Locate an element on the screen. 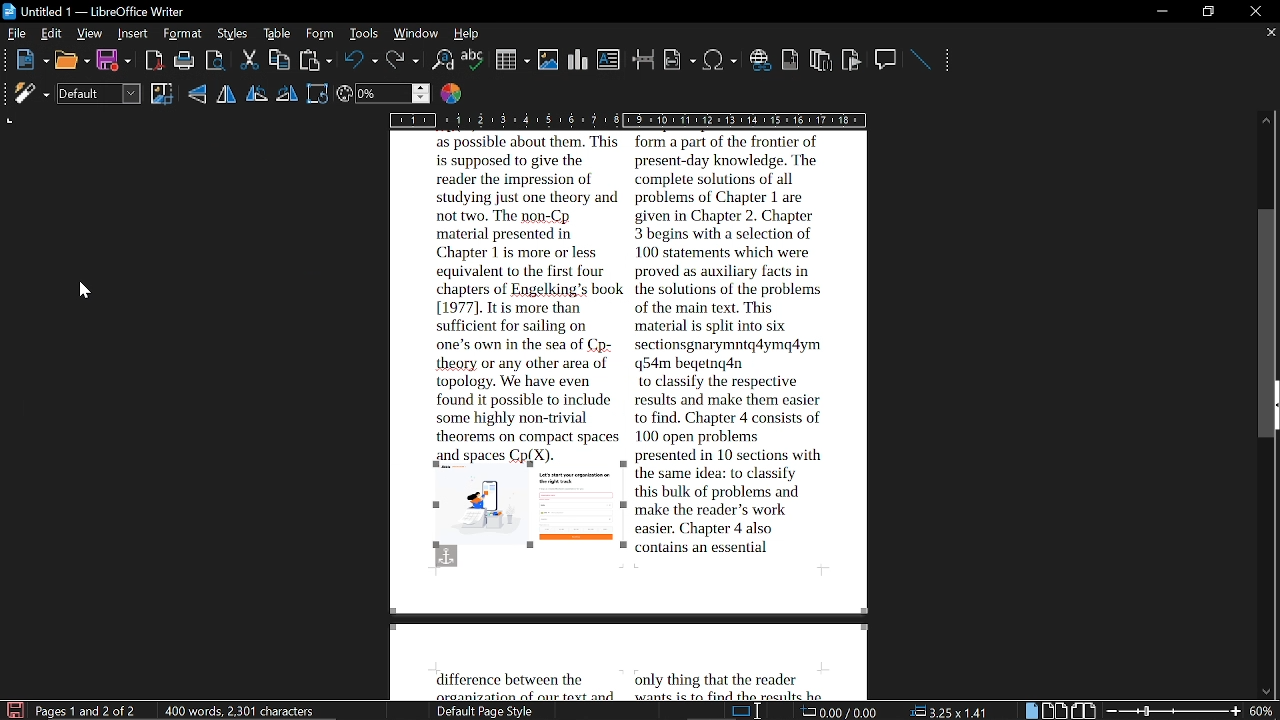  insert endnote is located at coordinates (822, 59).